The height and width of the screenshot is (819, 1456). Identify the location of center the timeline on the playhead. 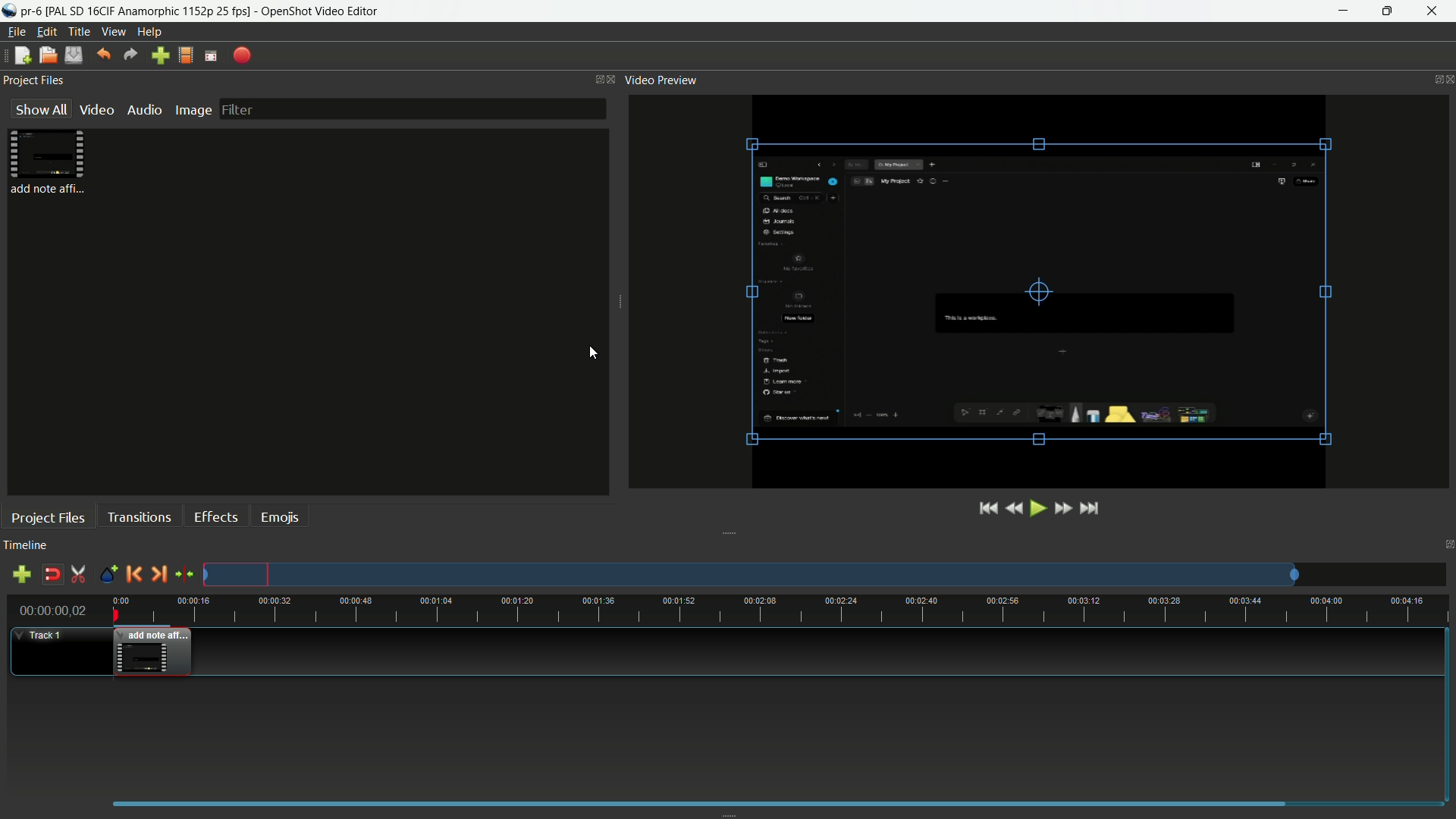
(184, 573).